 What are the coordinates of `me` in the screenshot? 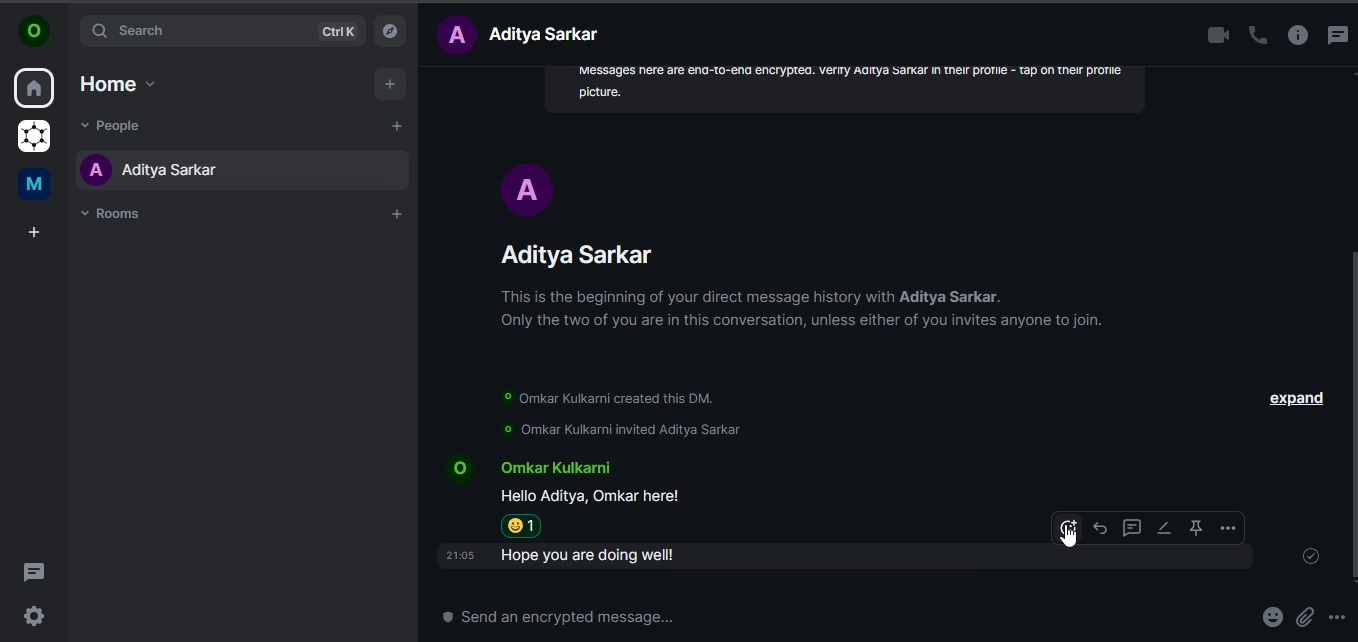 It's located at (32, 184).